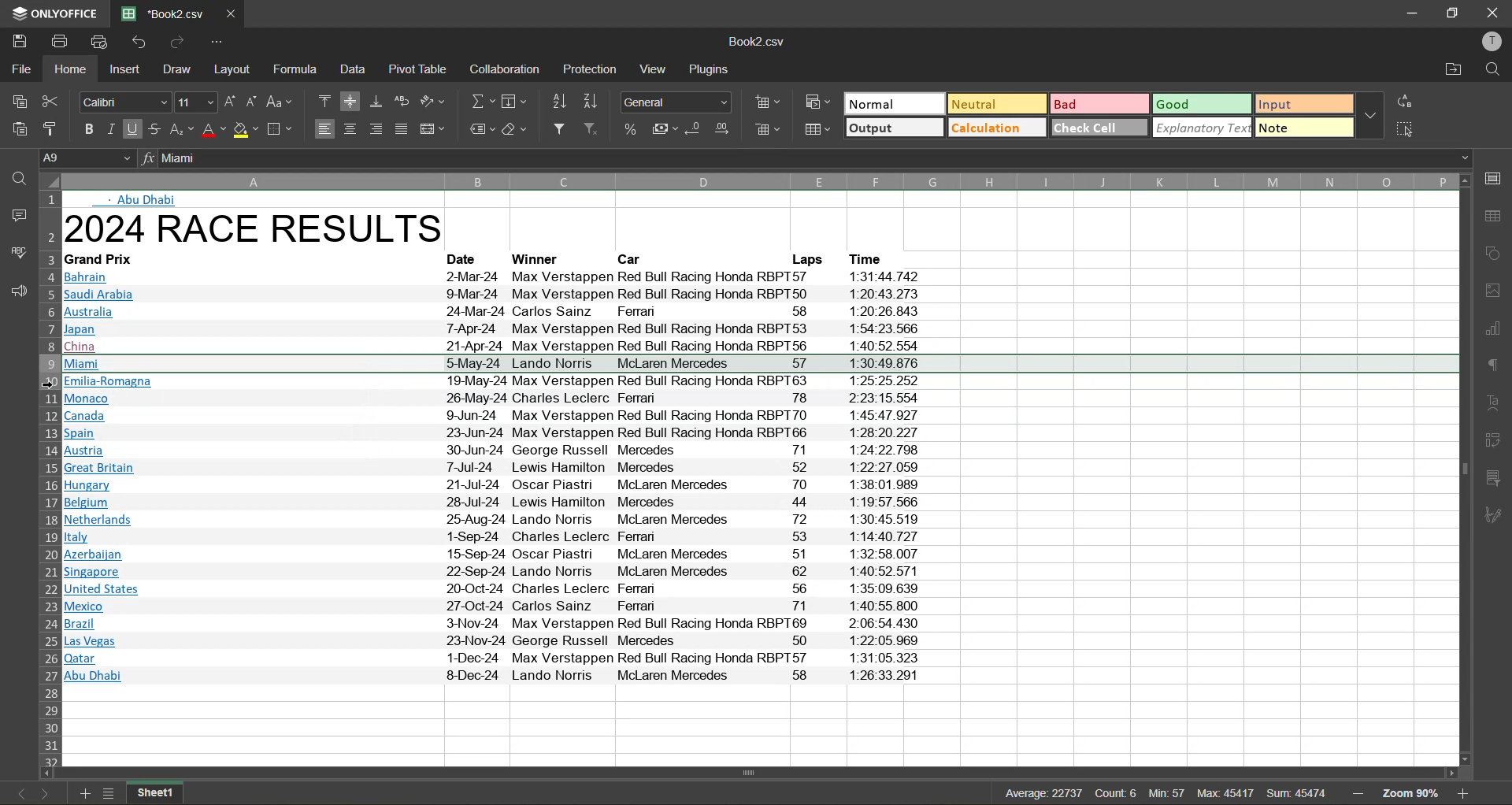  What do you see at coordinates (1499, 443) in the screenshot?
I see `pivot table` at bounding box center [1499, 443].